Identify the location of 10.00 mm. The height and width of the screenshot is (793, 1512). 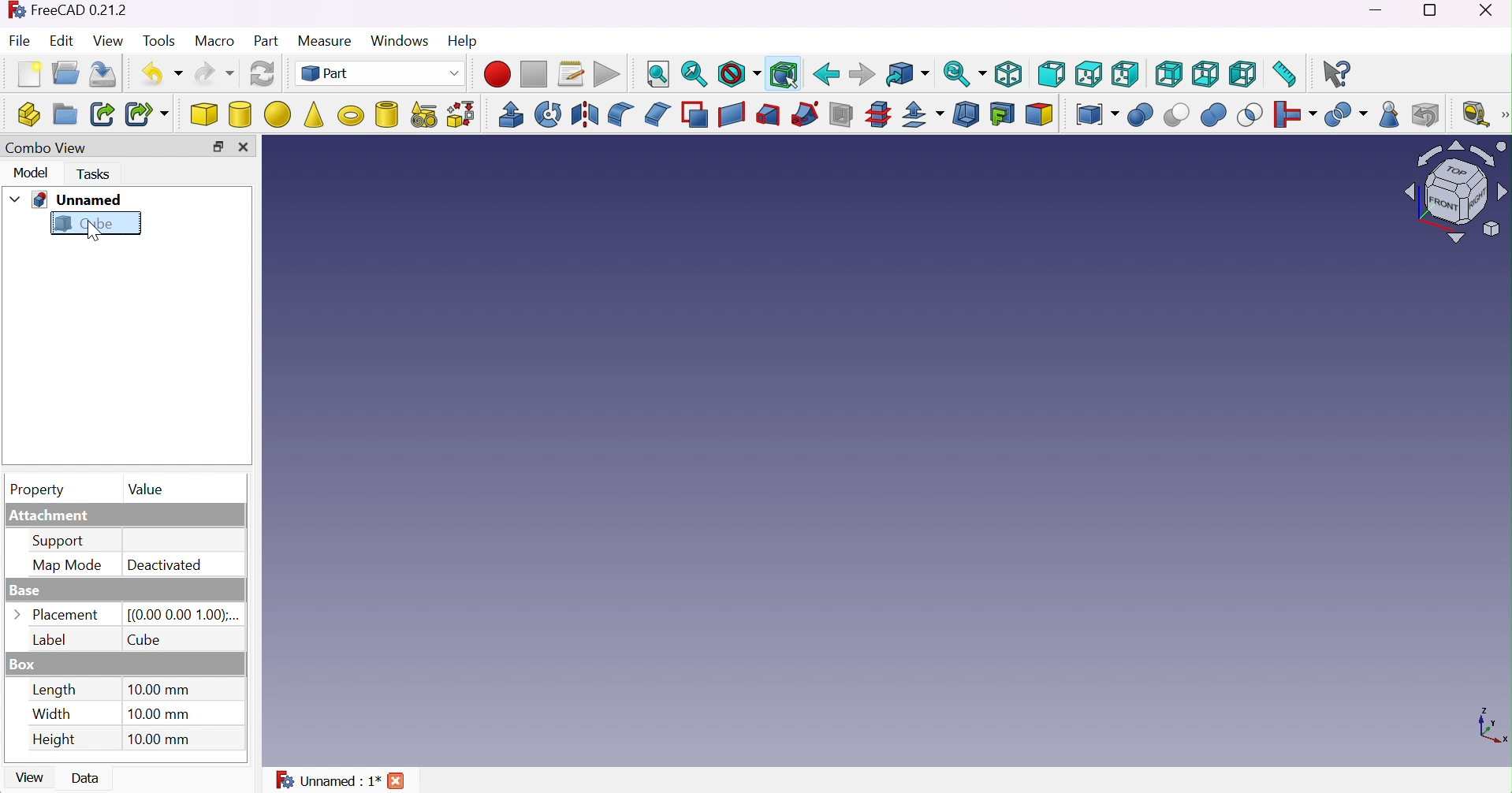
(158, 715).